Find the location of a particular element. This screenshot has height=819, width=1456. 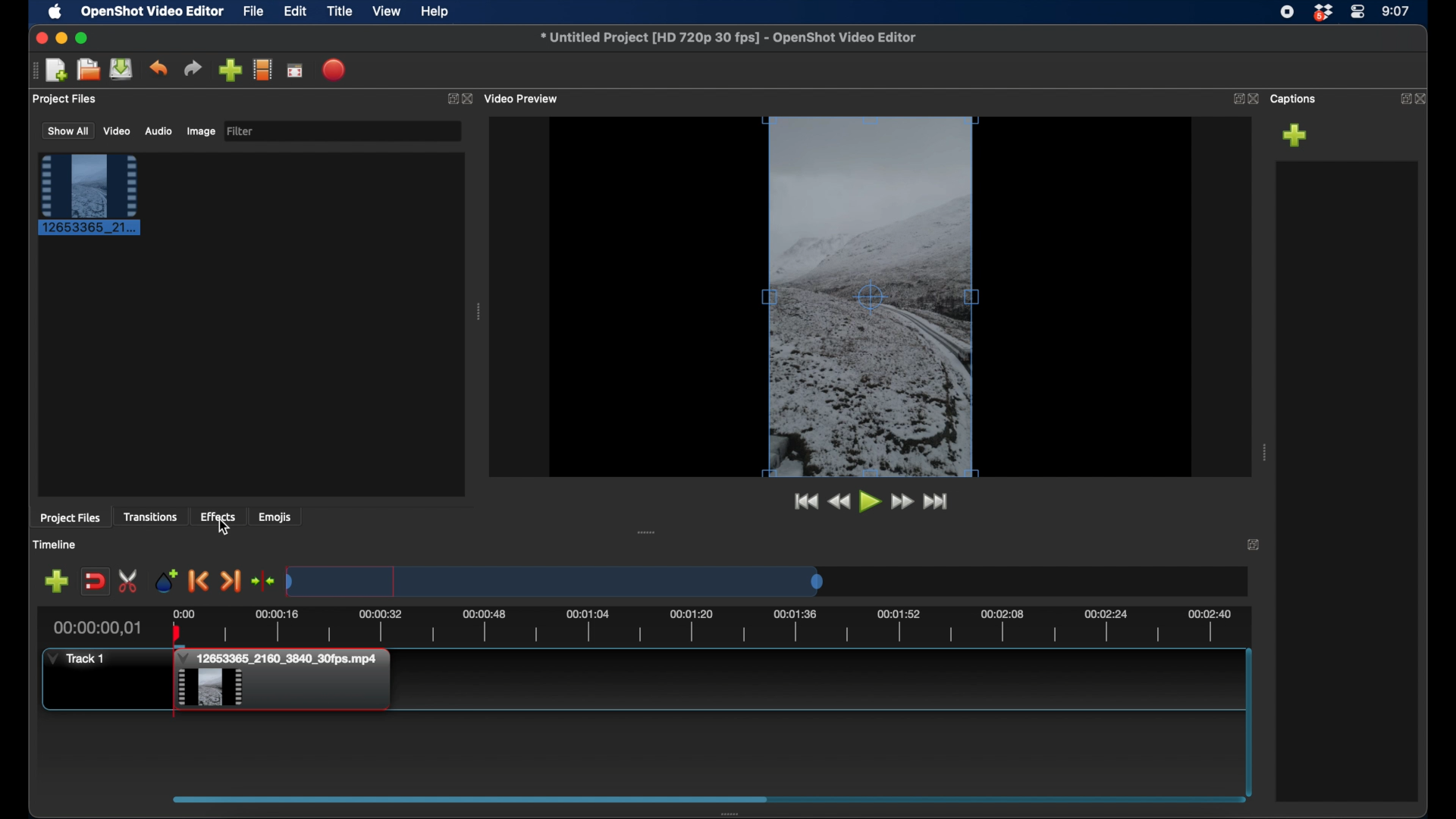

timeline is located at coordinates (726, 626).